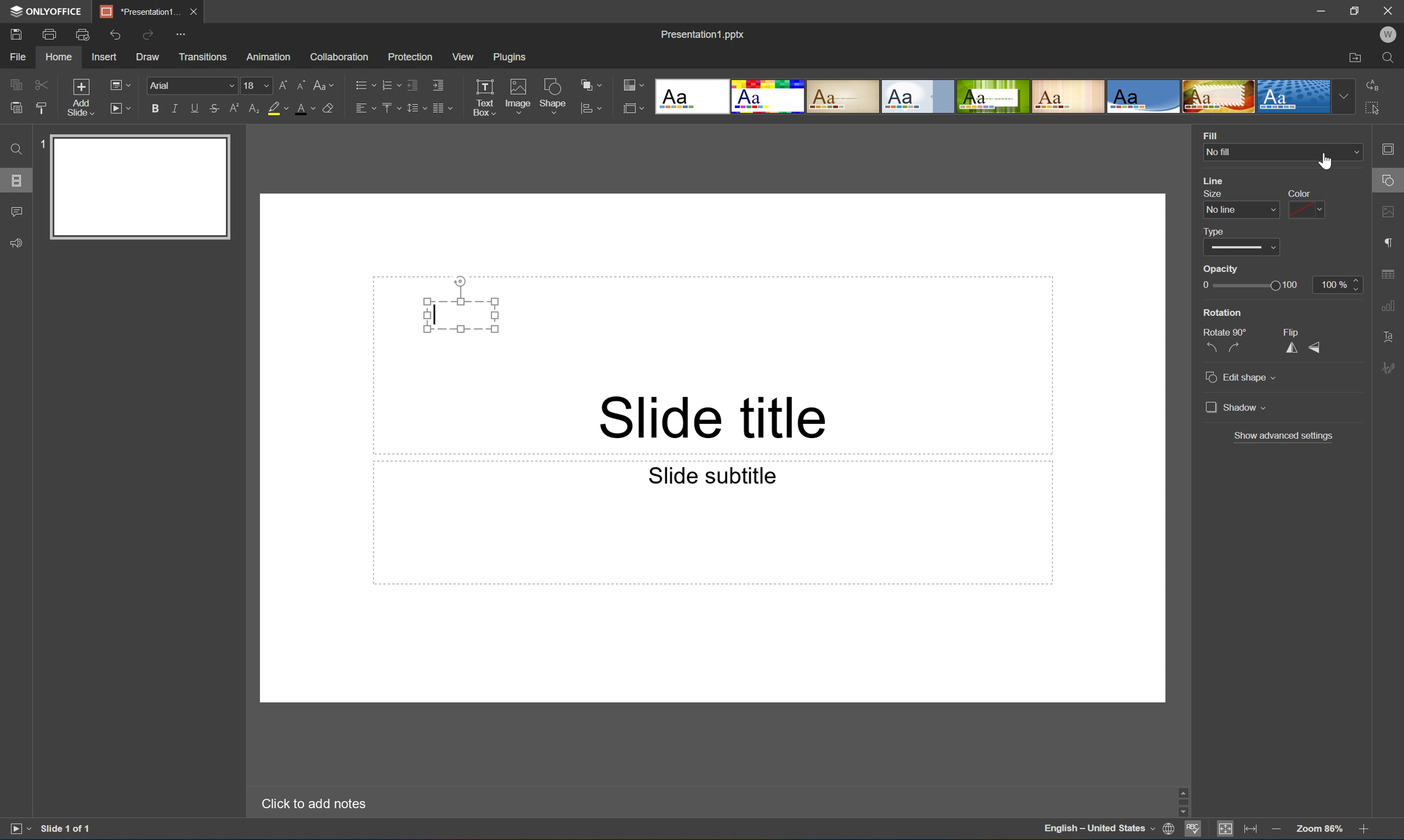 The image size is (1404, 840). I want to click on Clear style, so click(328, 107).